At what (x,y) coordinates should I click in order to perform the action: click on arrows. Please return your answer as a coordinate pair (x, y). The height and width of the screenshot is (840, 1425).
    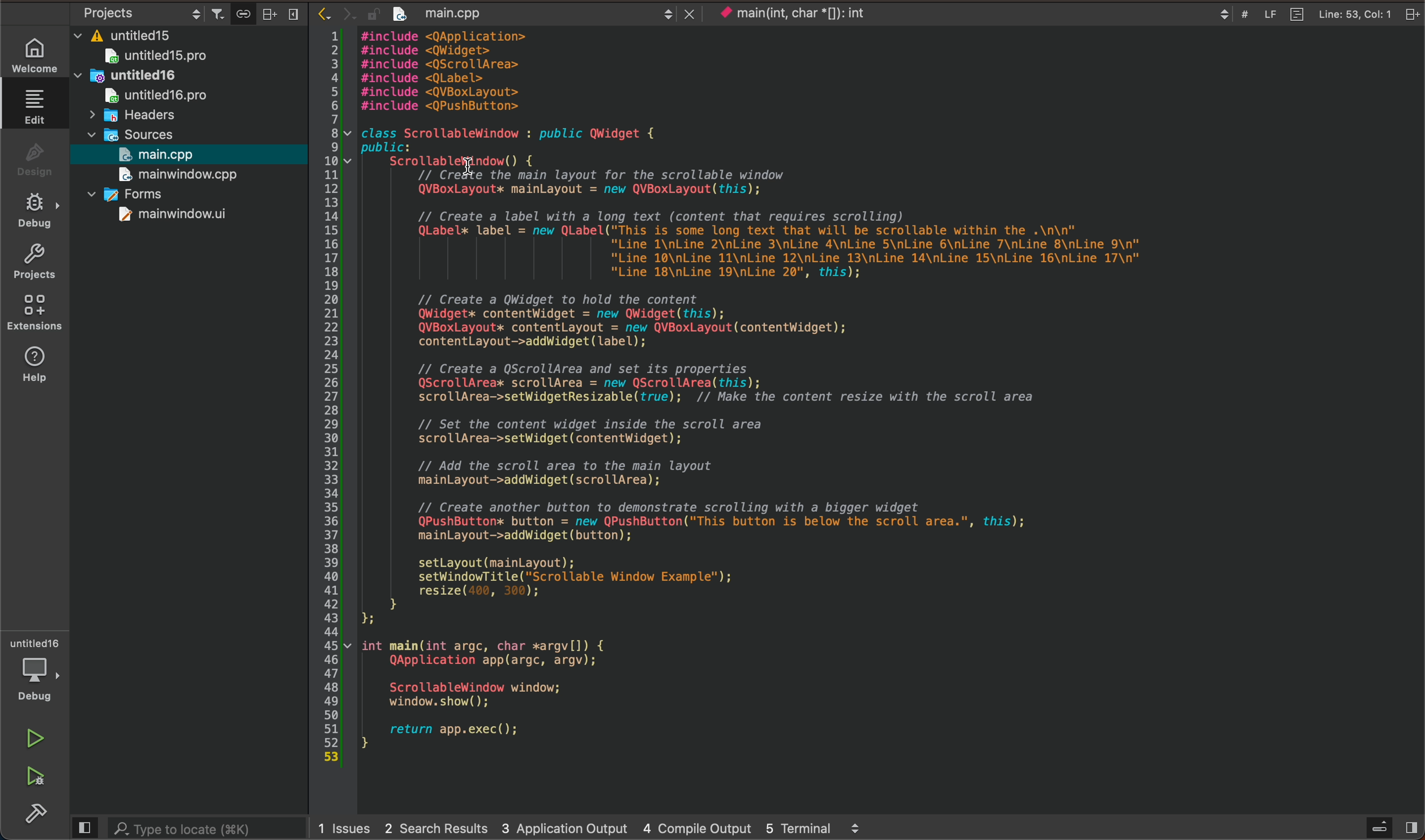
    Looking at the image, I should click on (341, 15).